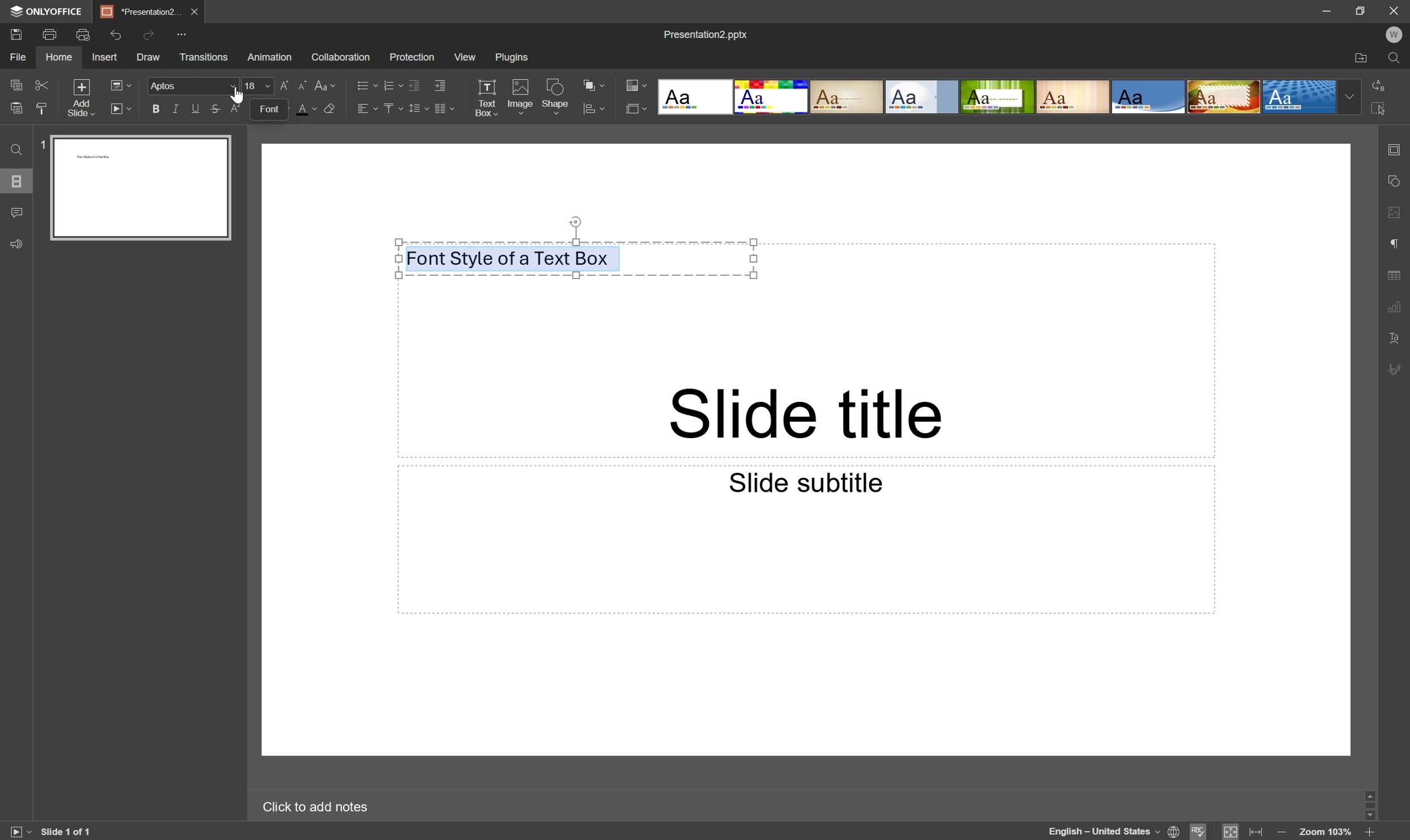 This screenshot has height=840, width=1410. Describe the element at coordinates (43, 143) in the screenshot. I see `1` at that location.